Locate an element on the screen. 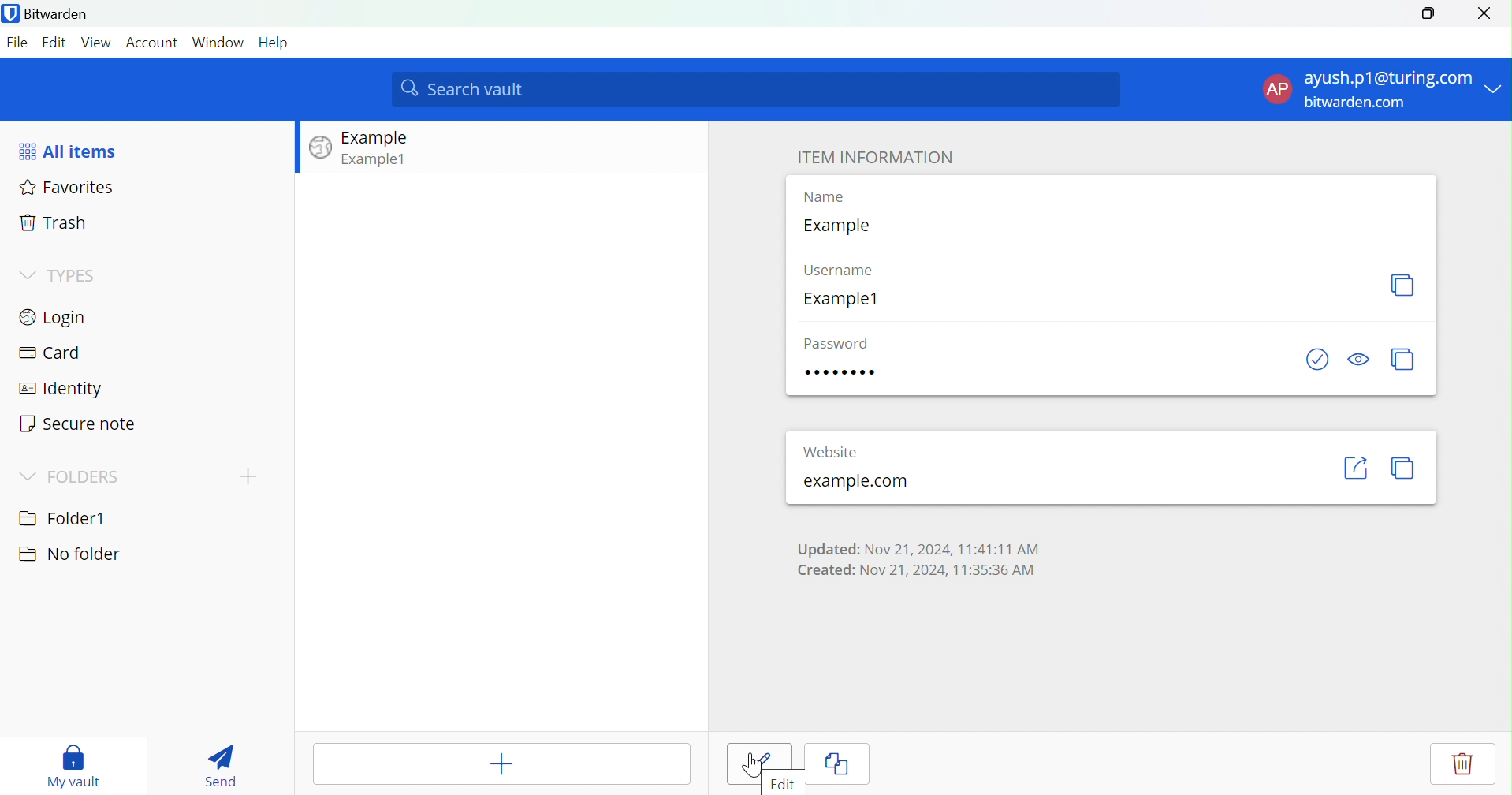 This screenshot has width=1512, height=795. Edit is located at coordinates (56, 42).